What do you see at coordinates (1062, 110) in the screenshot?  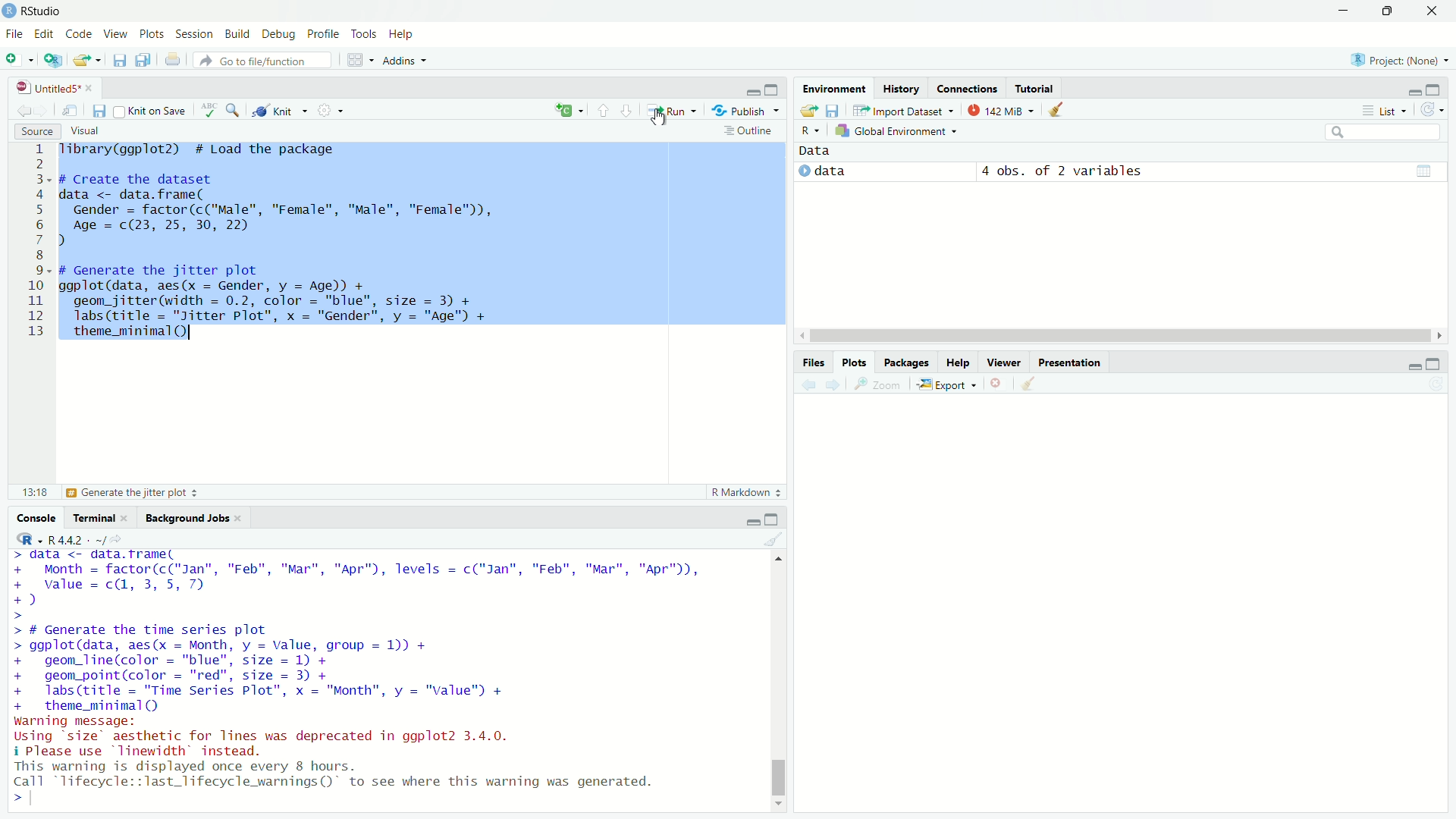 I see `clear objects from the workspace` at bounding box center [1062, 110].